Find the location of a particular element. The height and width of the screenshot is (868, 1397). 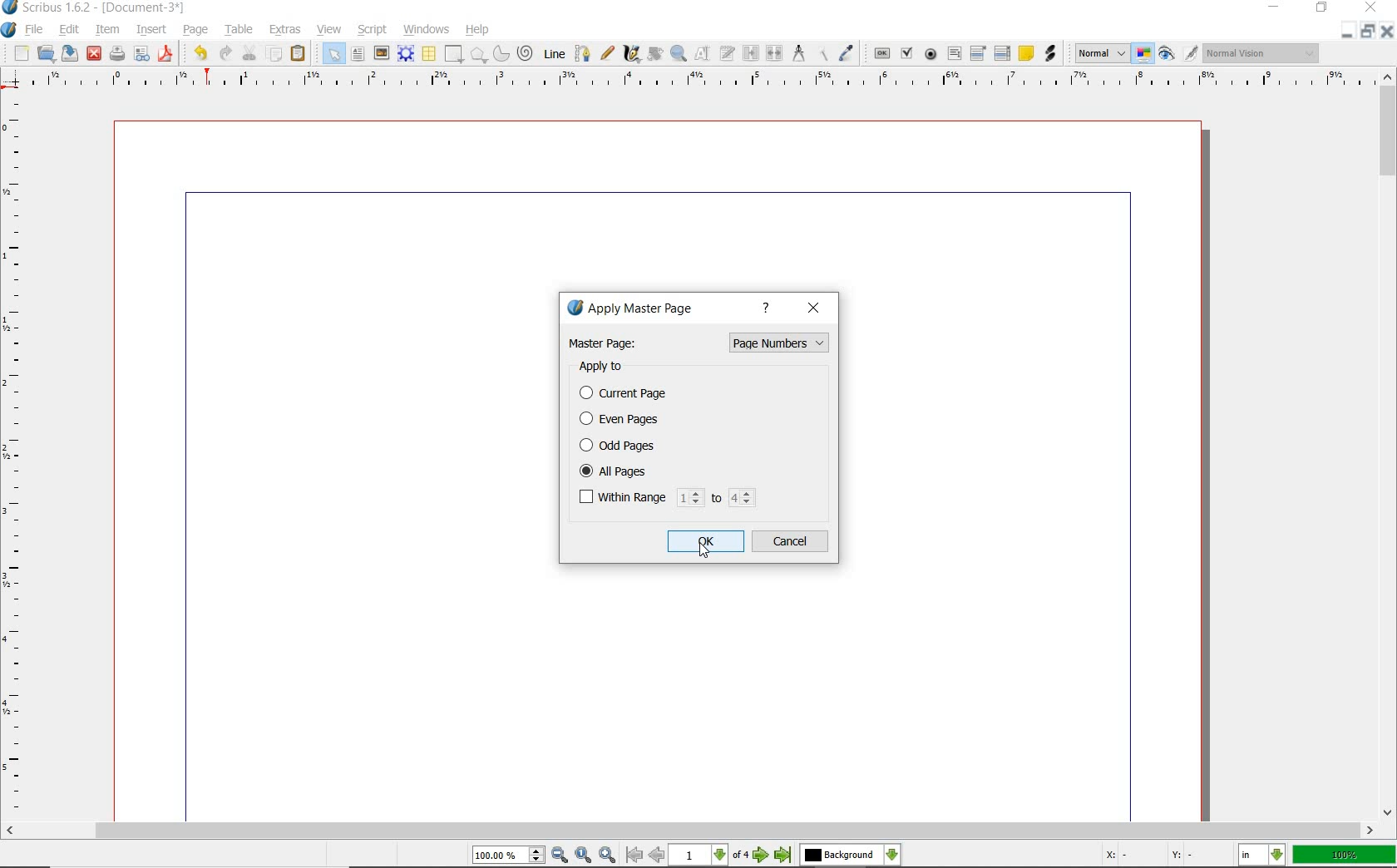

master page: page numbers is located at coordinates (698, 343).